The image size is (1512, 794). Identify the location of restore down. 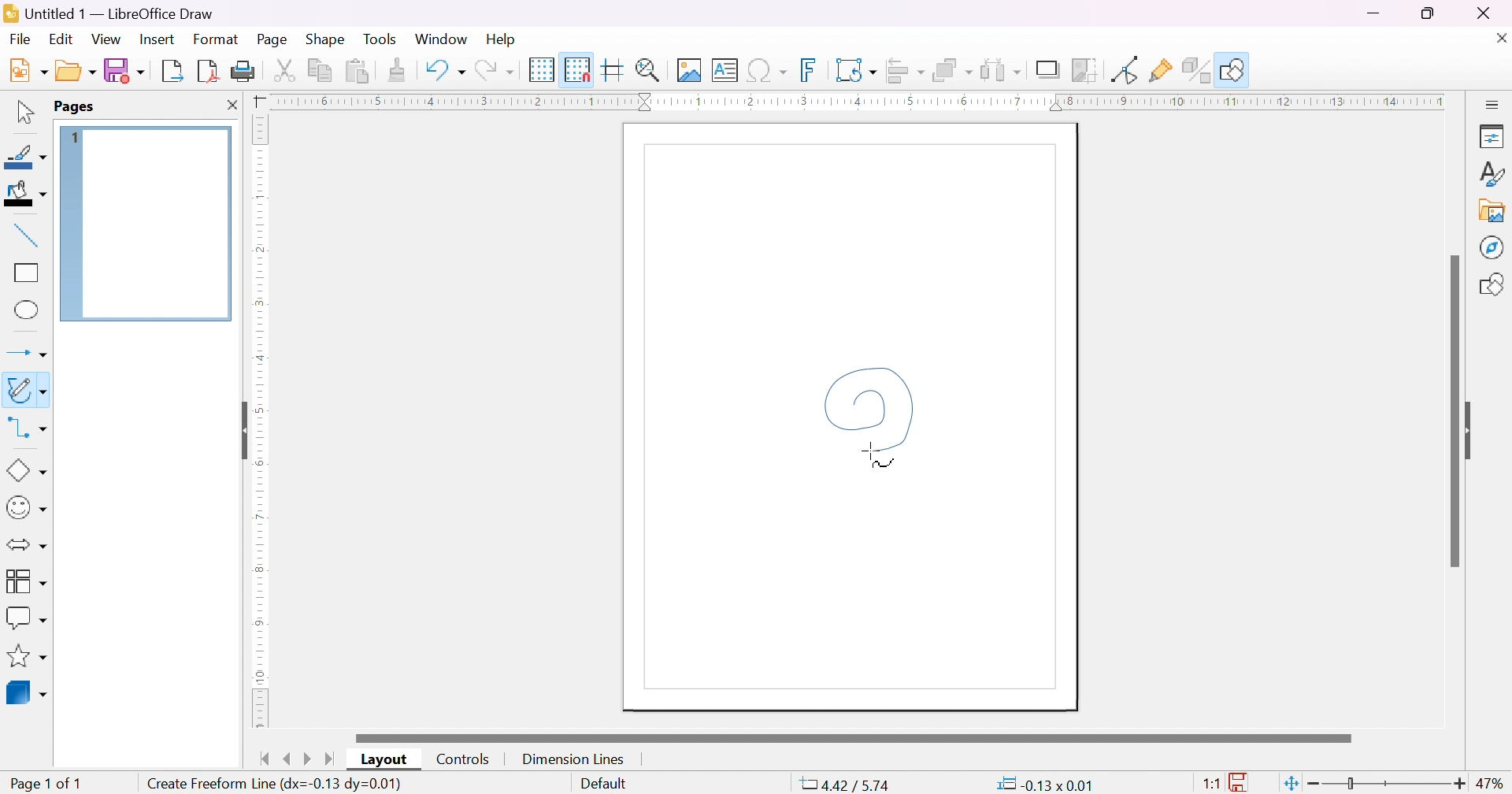
(1429, 13).